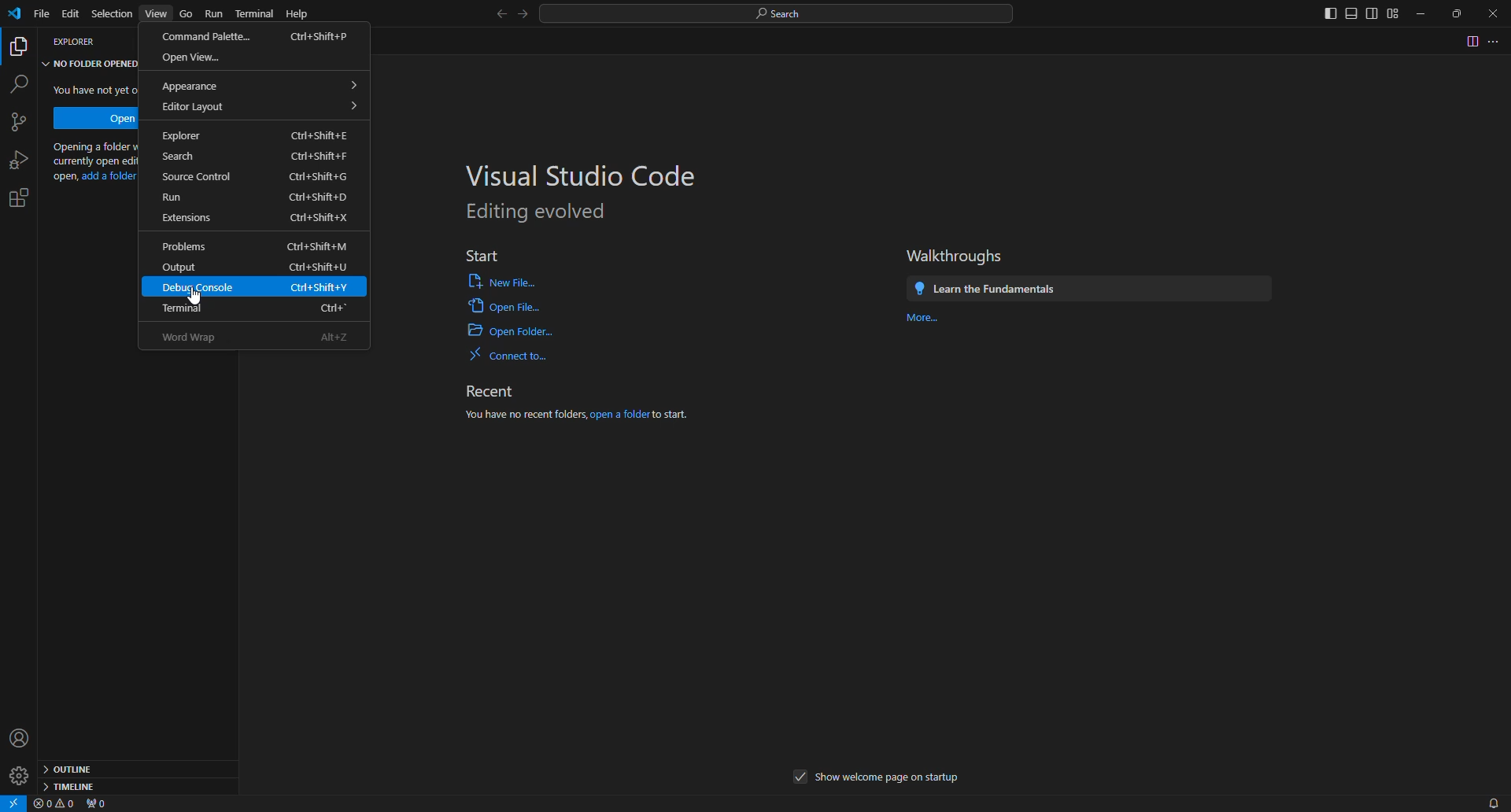 This screenshot has width=1511, height=812. What do you see at coordinates (27, 195) in the screenshot?
I see `settings` at bounding box center [27, 195].